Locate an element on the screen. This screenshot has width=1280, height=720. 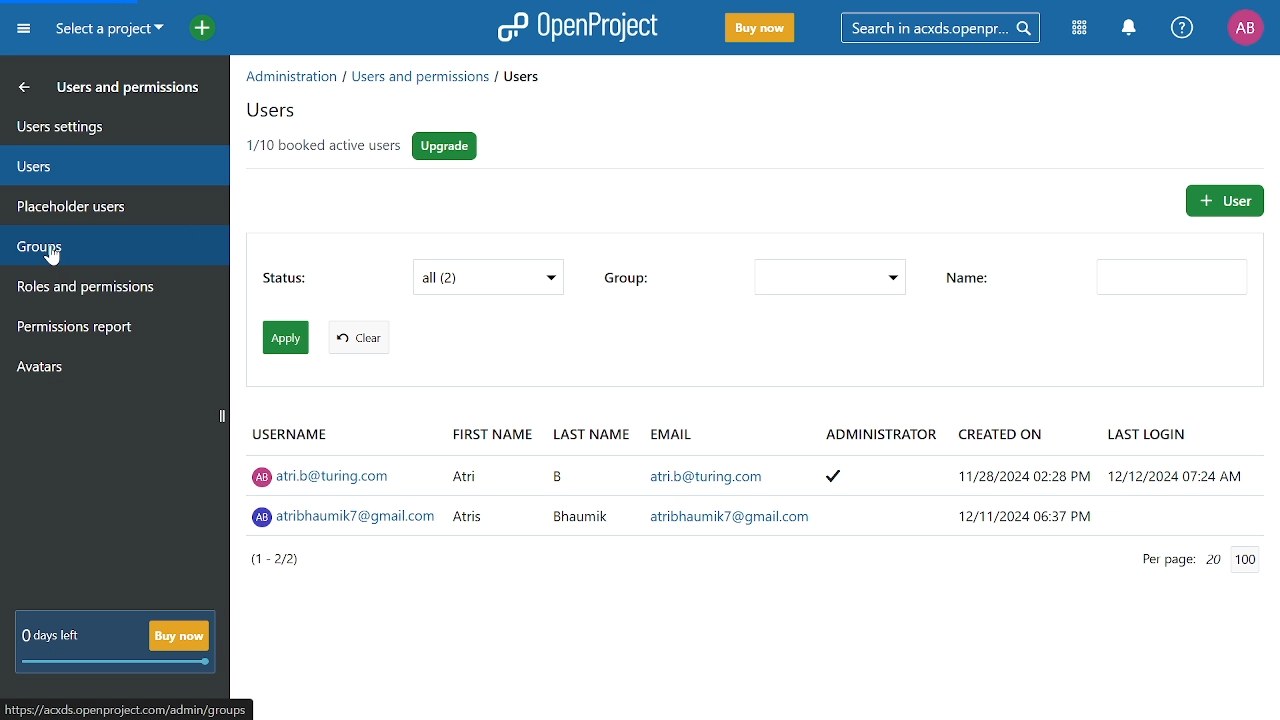
Vertical scrollbar is located at coordinates (222, 417).